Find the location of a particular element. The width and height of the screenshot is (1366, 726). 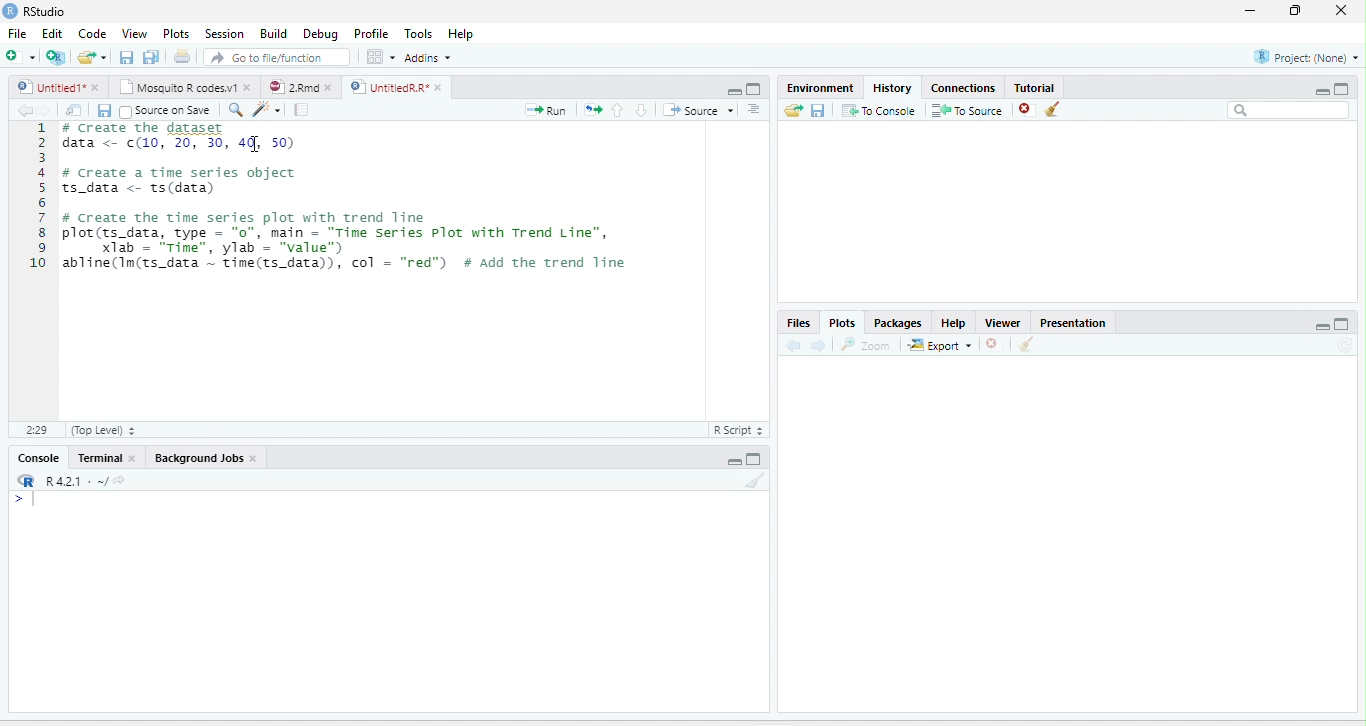

close is located at coordinates (95, 87).